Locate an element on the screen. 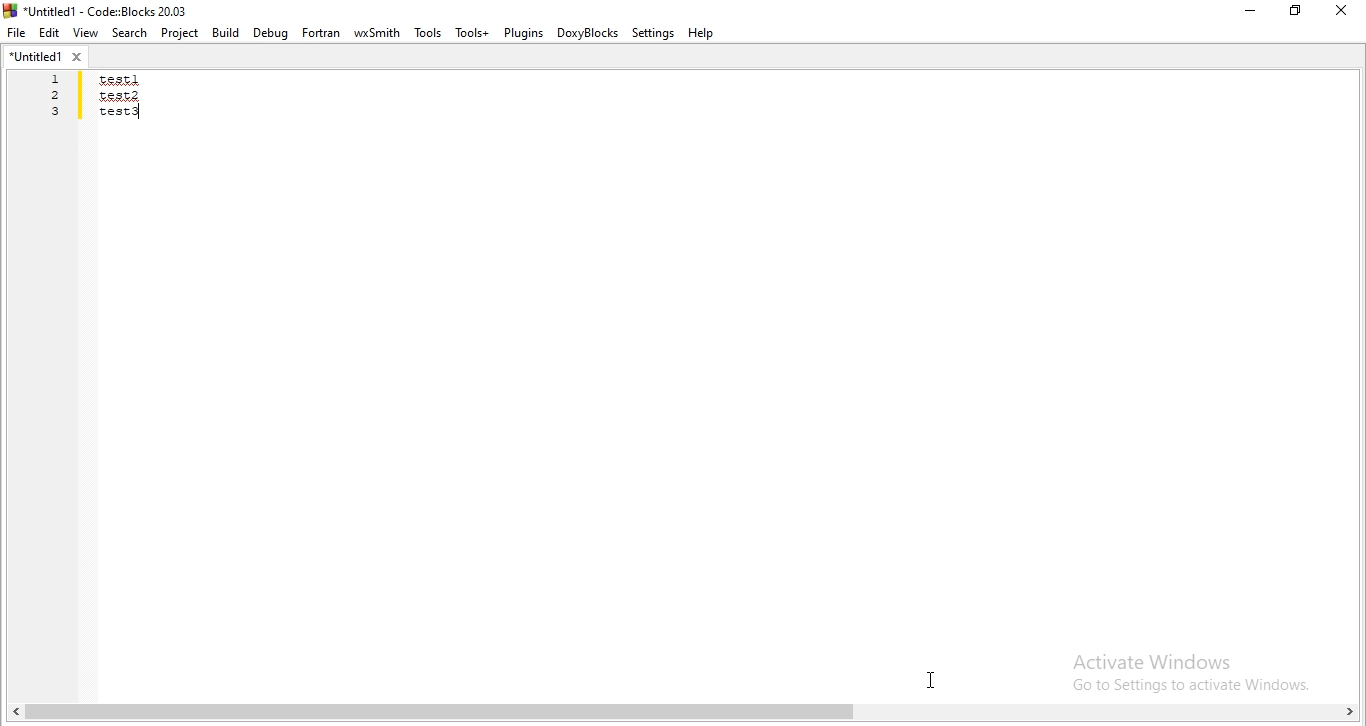 Image resolution: width=1366 pixels, height=726 pixels. test 1 is located at coordinates (118, 81).